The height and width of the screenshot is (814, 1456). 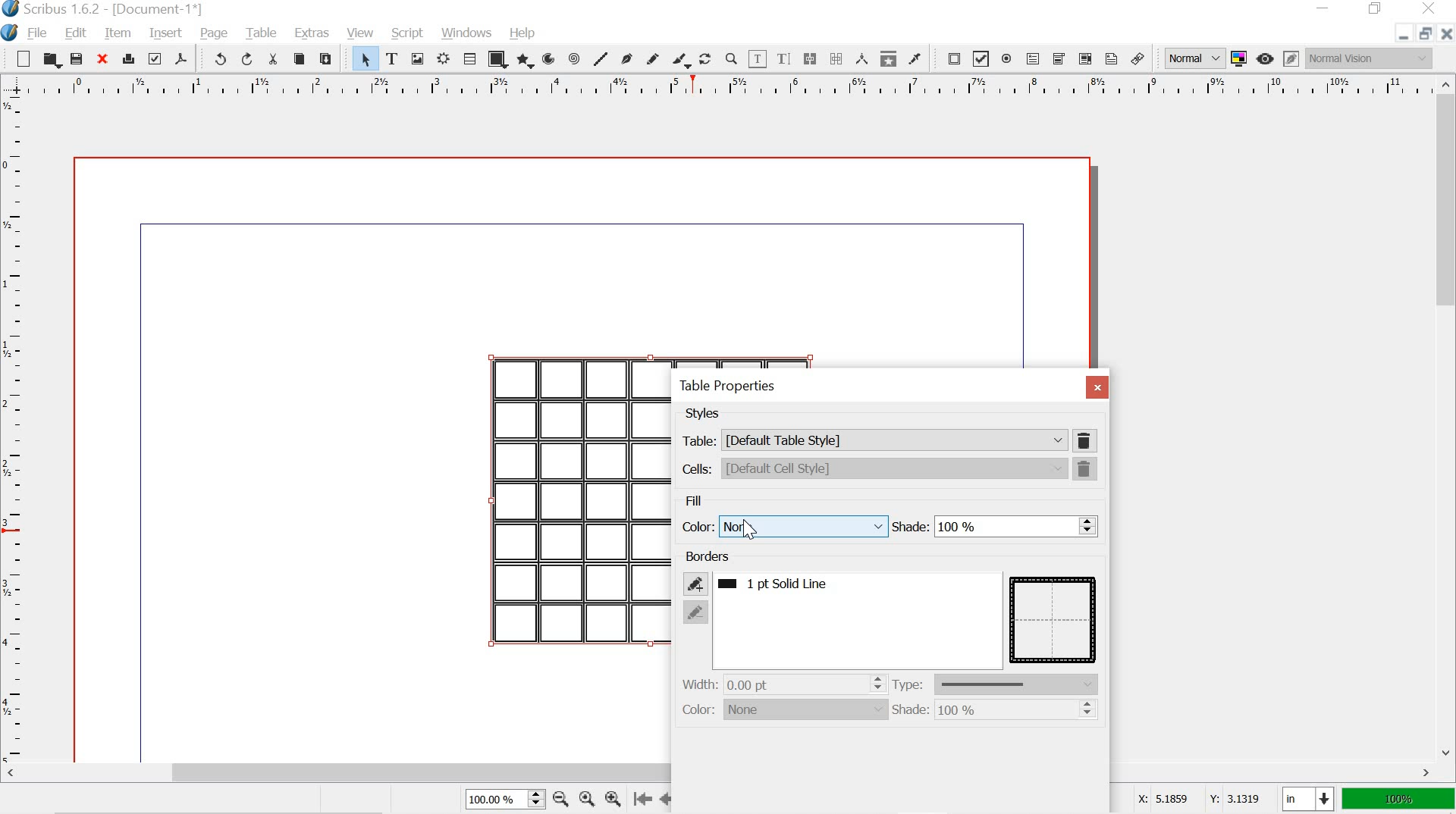 I want to click on zoom in, zoom out, so click(x=535, y=800).